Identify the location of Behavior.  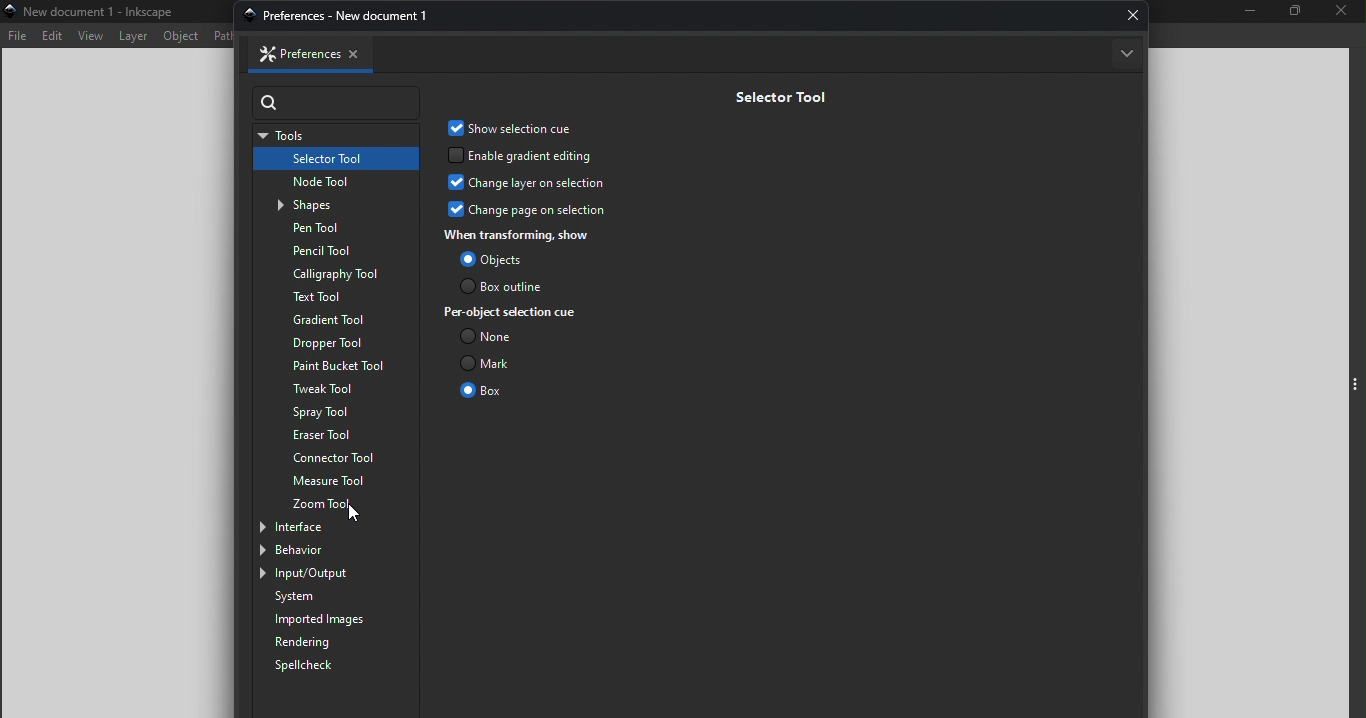
(311, 550).